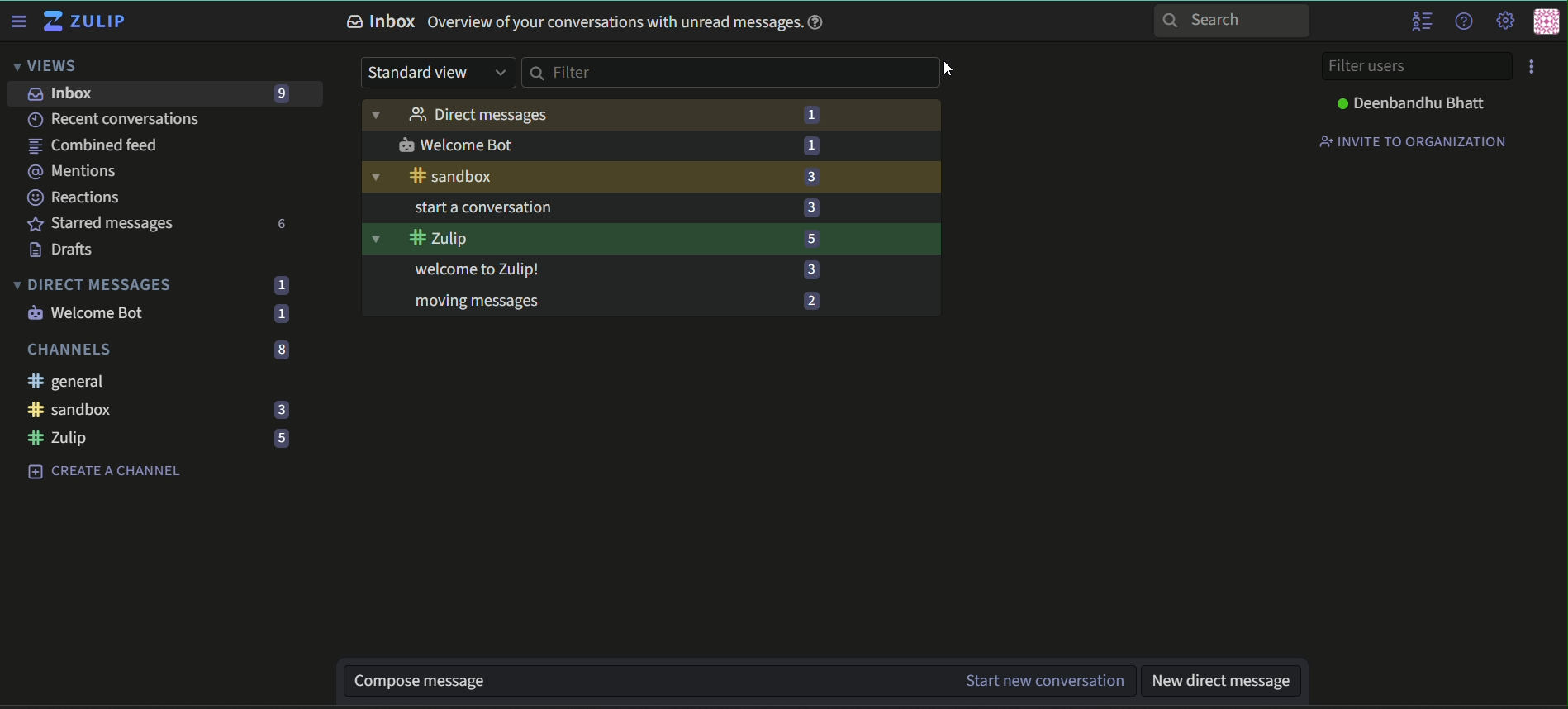  I want to click on Search bar, so click(1232, 21).